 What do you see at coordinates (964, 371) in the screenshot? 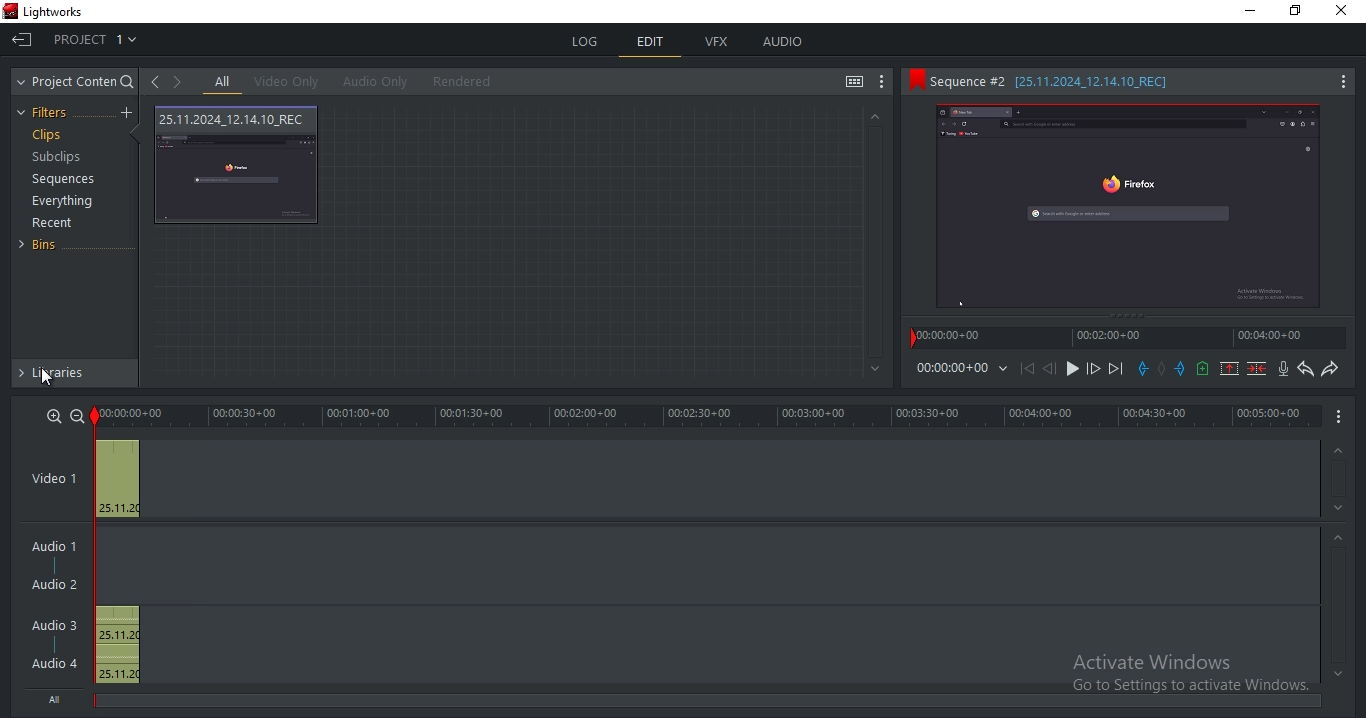
I see `time` at bounding box center [964, 371].